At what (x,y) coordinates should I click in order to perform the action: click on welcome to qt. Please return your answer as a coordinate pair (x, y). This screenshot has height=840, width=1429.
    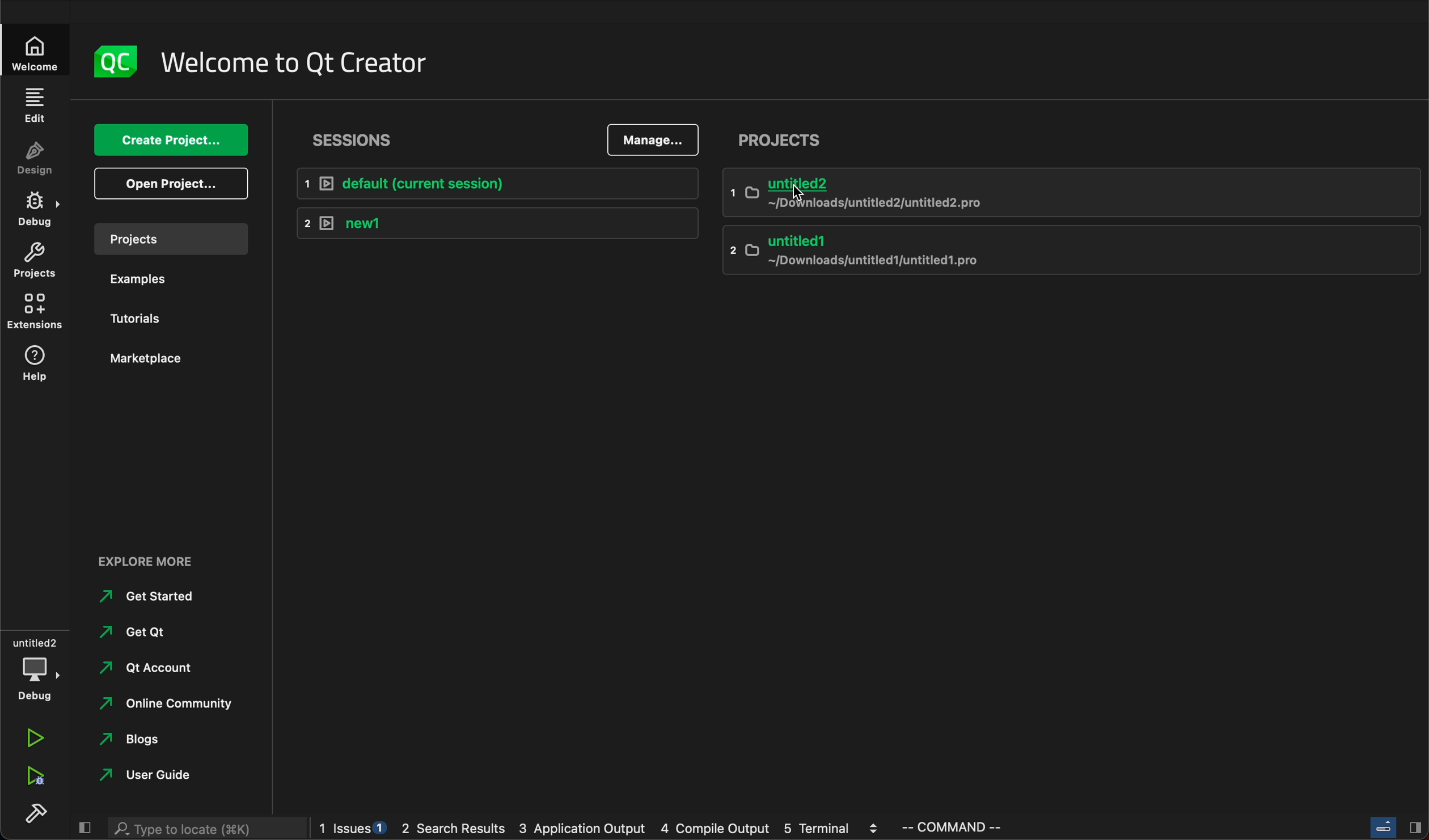
    Looking at the image, I should click on (311, 62).